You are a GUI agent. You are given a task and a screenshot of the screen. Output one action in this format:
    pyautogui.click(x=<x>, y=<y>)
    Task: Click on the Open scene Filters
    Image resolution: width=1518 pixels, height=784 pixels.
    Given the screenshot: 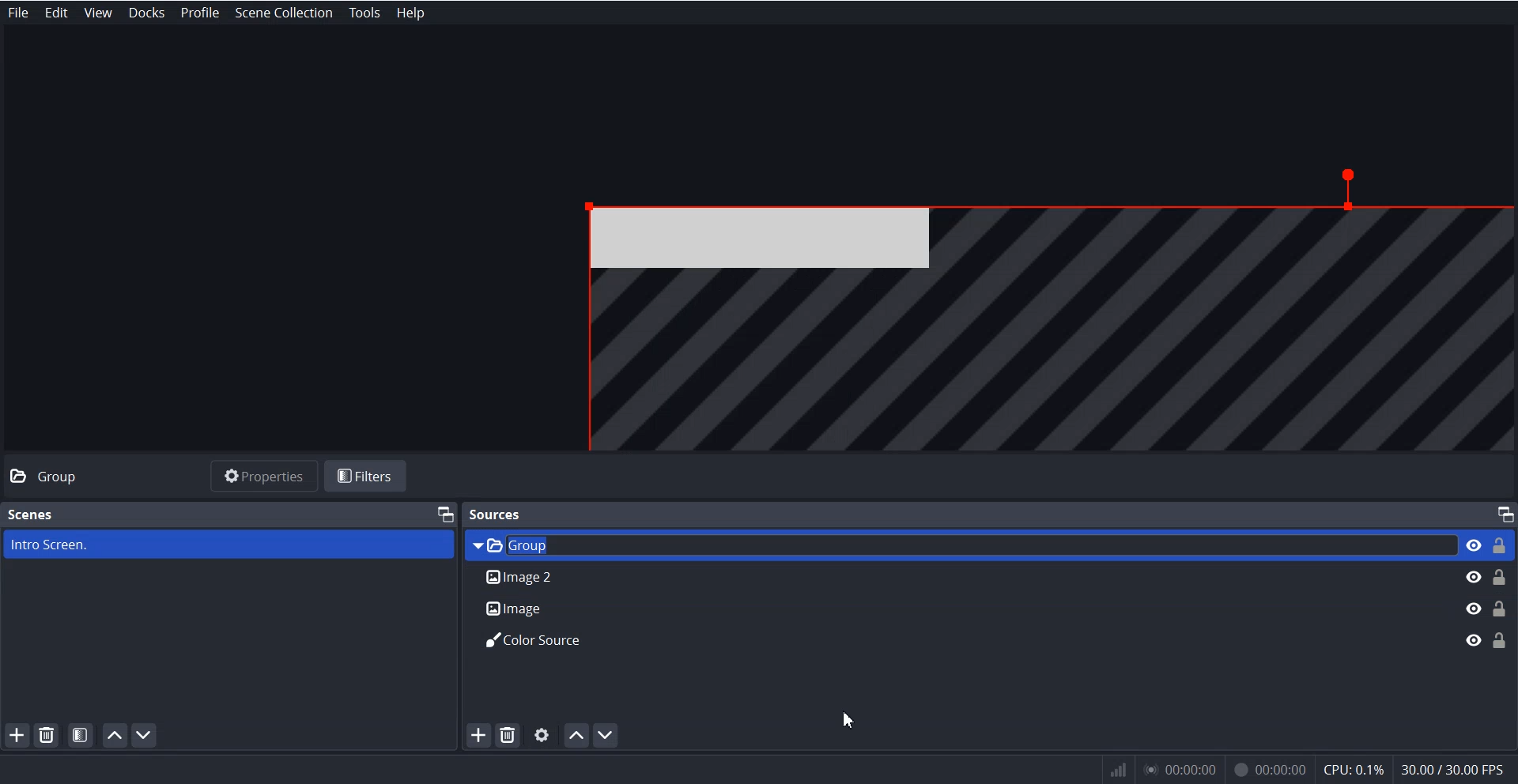 What is the action you would take?
    pyautogui.click(x=81, y=734)
    